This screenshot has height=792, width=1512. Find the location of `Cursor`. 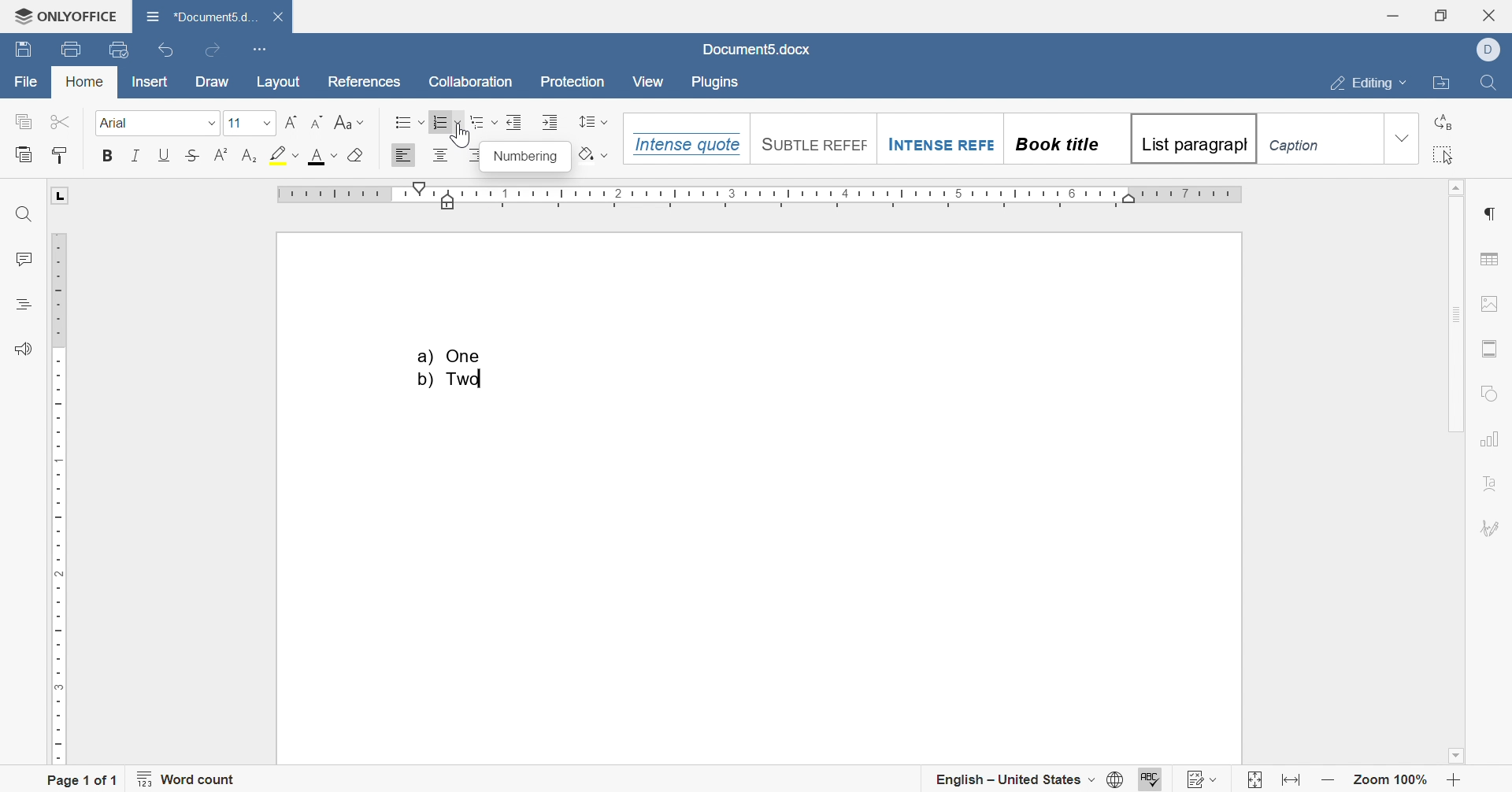

Cursor is located at coordinates (463, 136).